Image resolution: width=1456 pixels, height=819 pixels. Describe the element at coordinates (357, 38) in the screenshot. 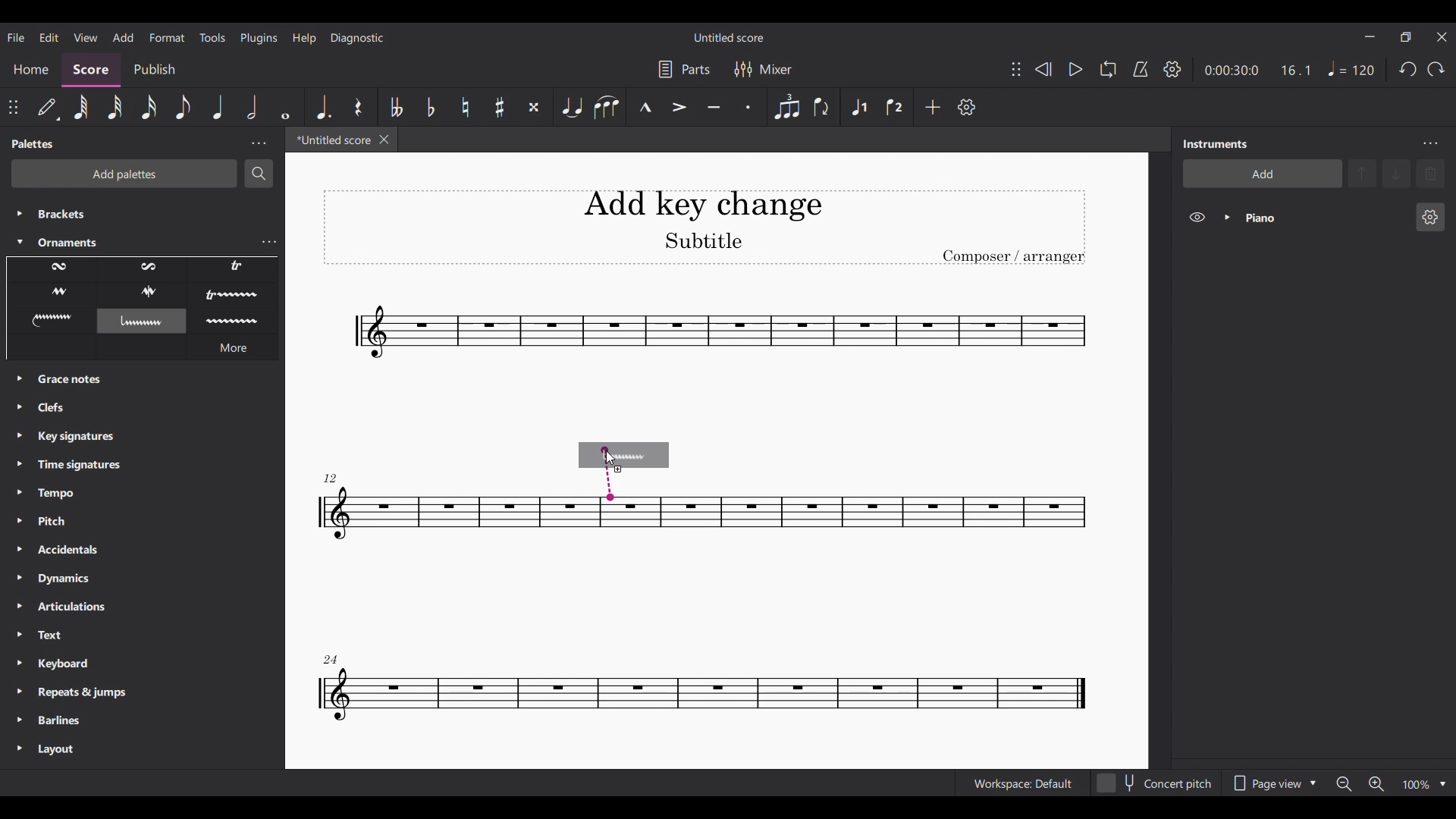

I see `Diagnostic menu` at that location.